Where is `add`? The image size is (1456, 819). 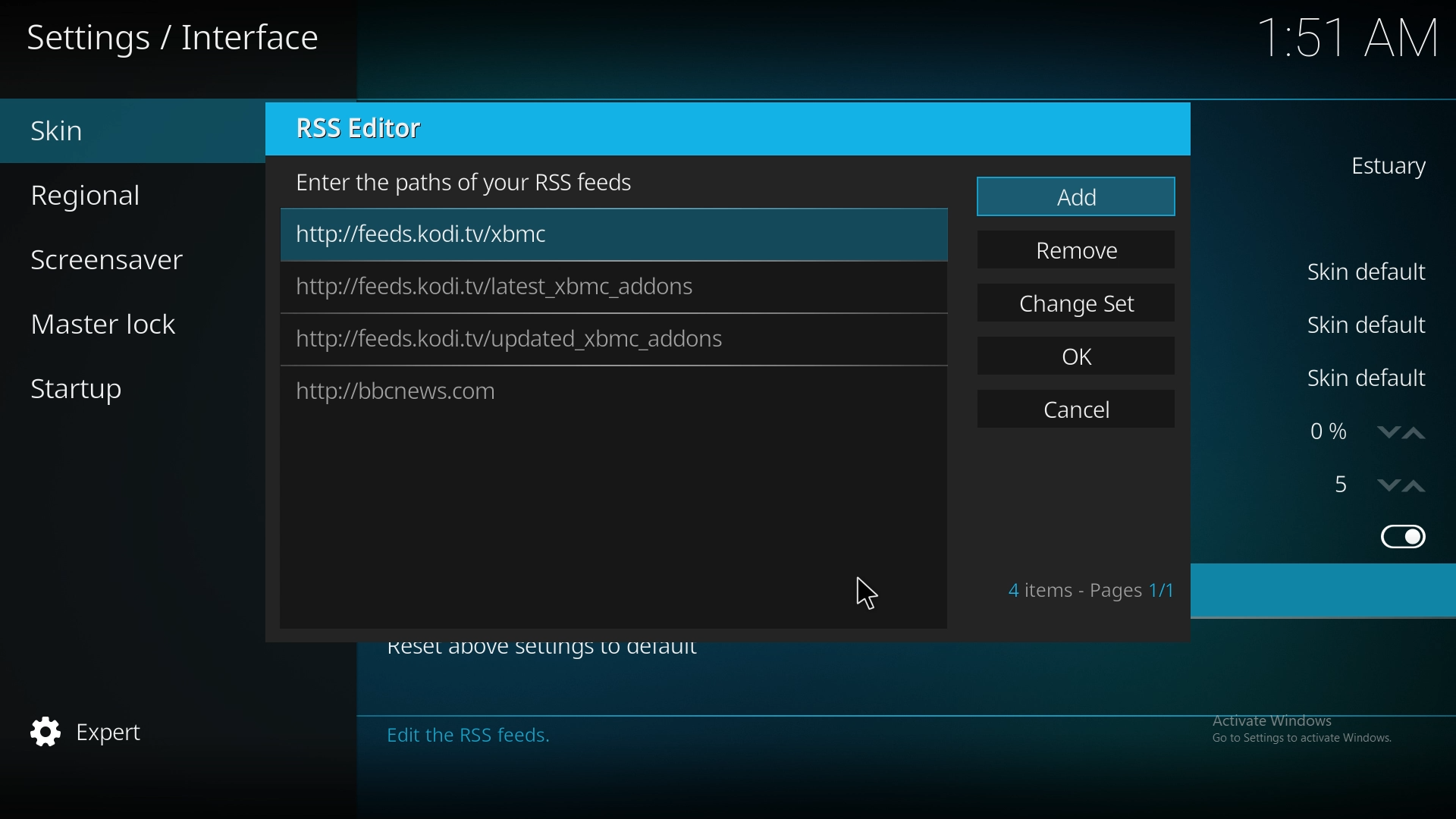 add is located at coordinates (1076, 199).